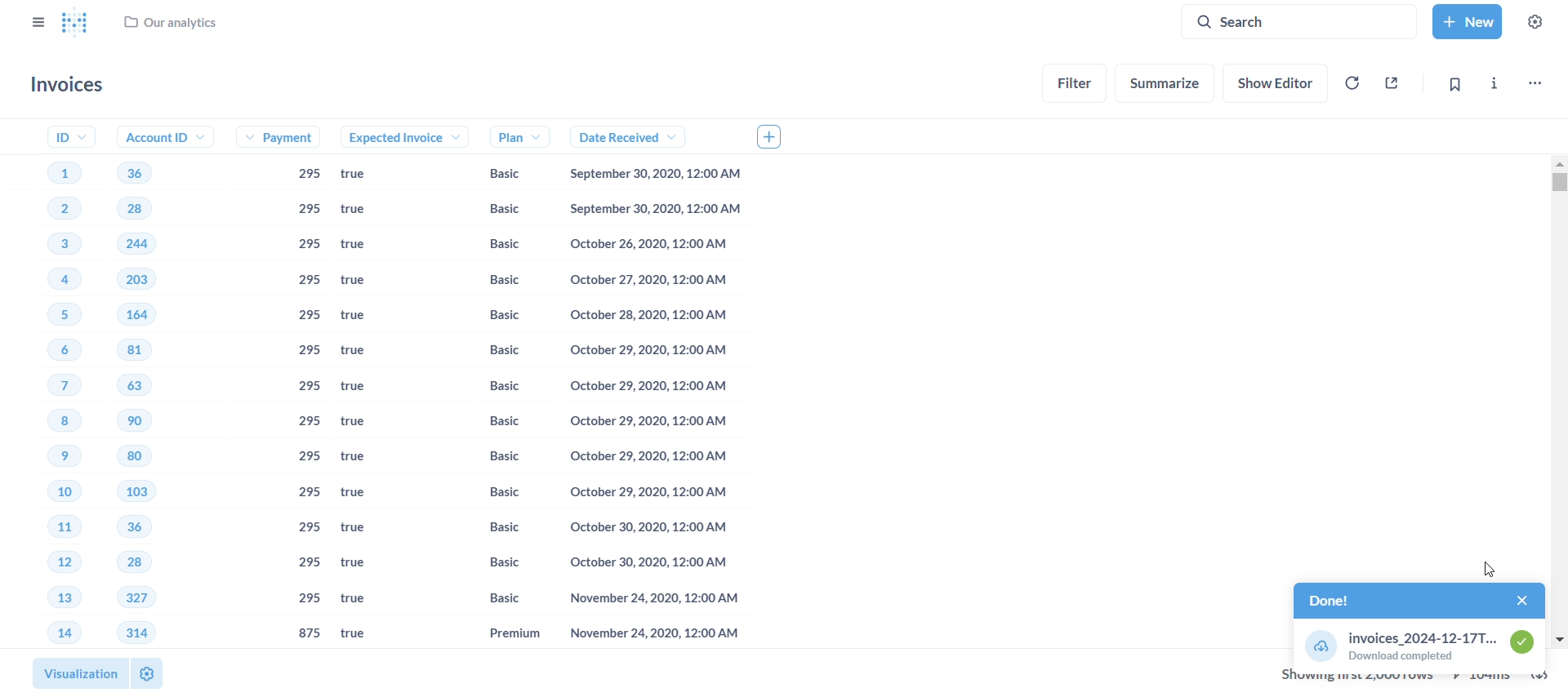 This screenshot has width=1568, height=697. What do you see at coordinates (1166, 83) in the screenshot?
I see `summarize` at bounding box center [1166, 83].